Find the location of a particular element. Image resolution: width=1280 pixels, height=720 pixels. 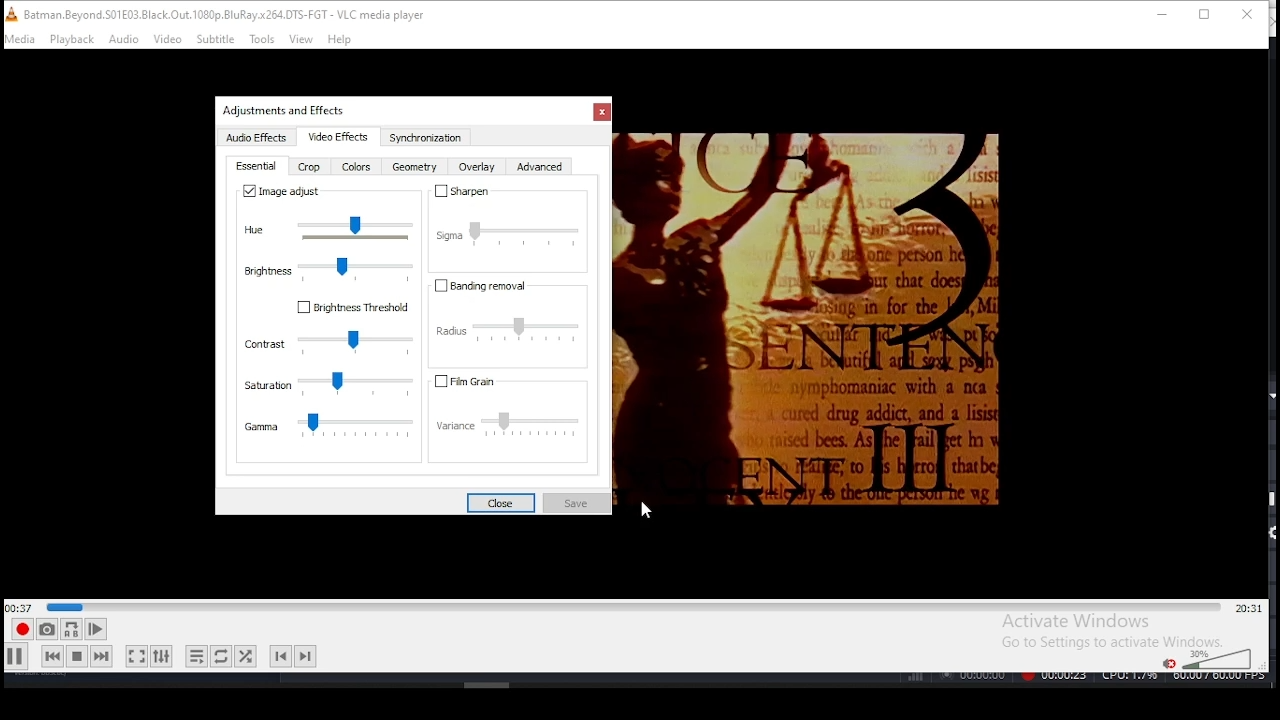

audio effects is located at coordinates (259, 139).